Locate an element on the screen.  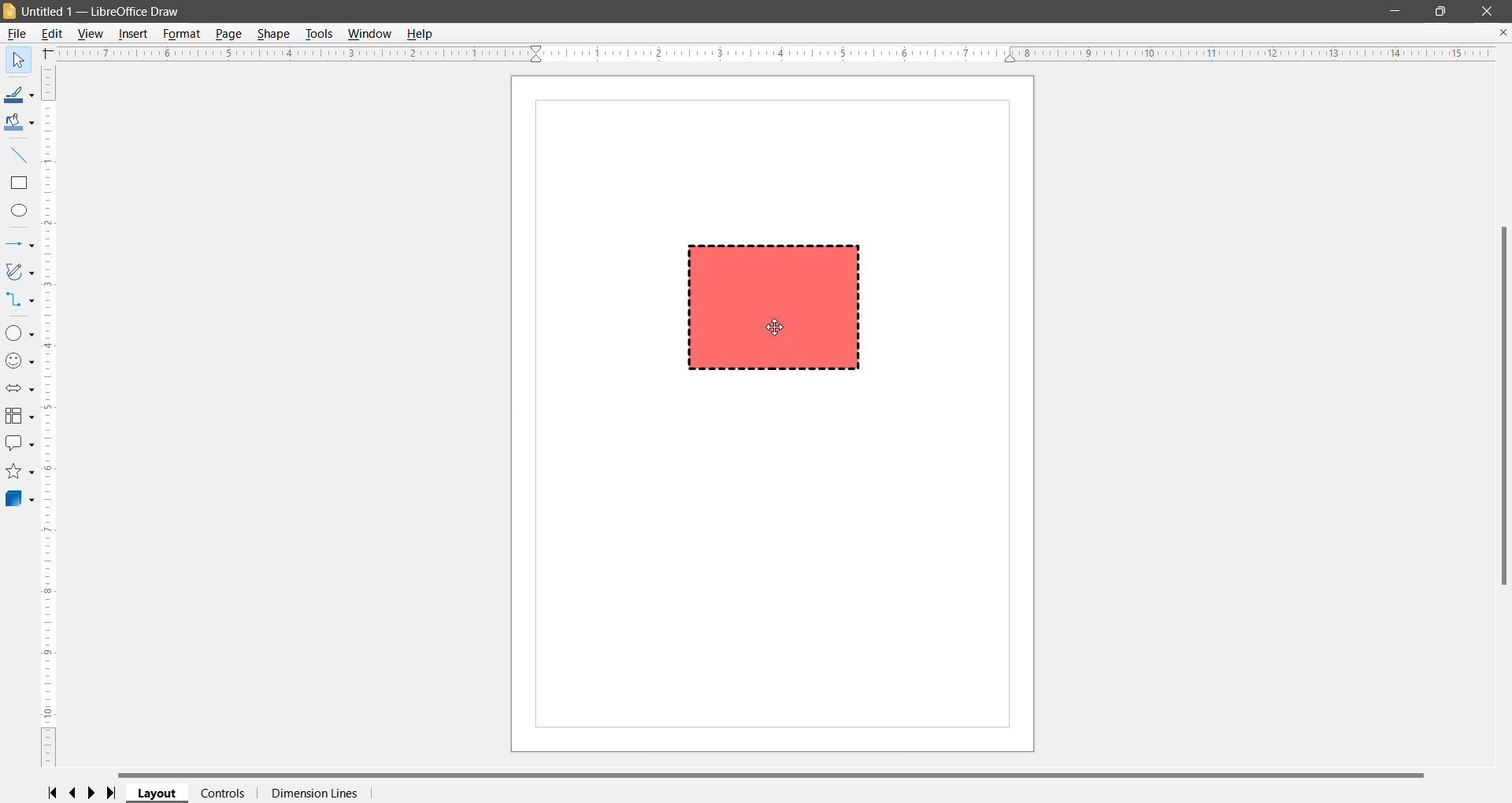
Symbol Shapes is located at coordinates (20, 362).